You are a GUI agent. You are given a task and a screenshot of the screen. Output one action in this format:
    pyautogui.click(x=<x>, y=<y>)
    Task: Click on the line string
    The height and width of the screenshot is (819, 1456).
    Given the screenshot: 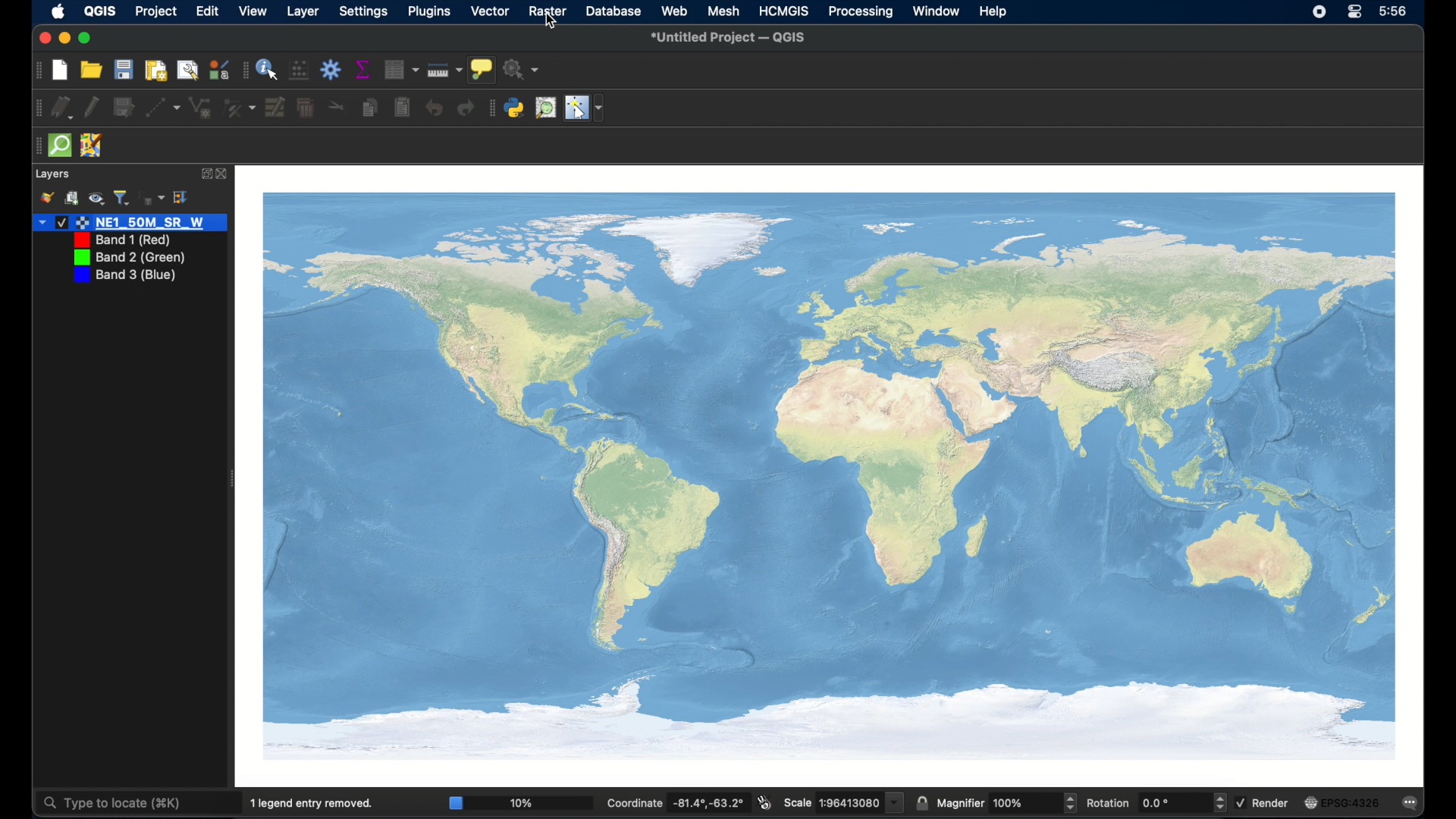 What is the action you would take?
    pyautogui.click(x=200, y=108)
    